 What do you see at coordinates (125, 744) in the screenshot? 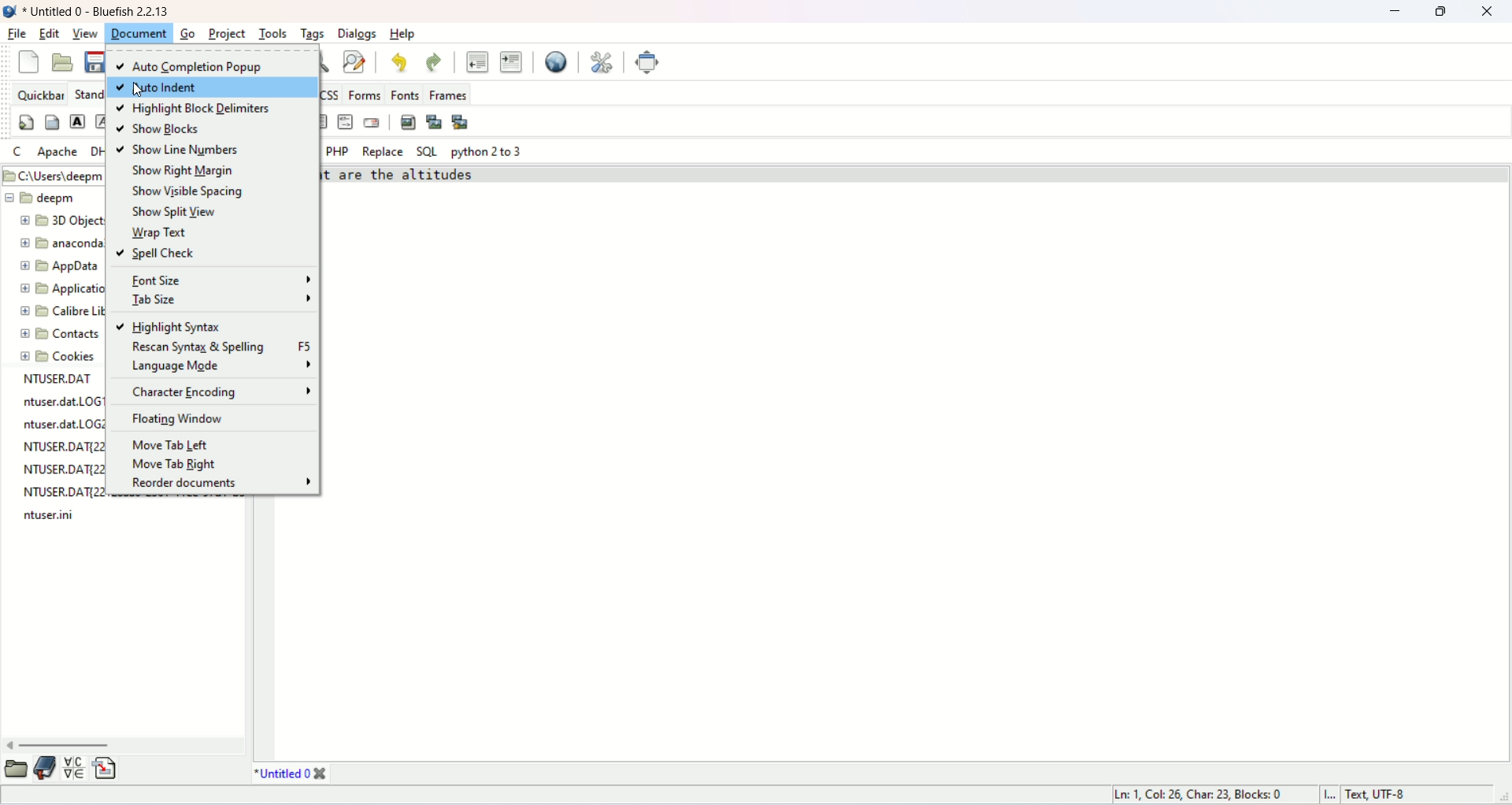
I see `horizontal scroll bar` at bounding box center [125, 744].